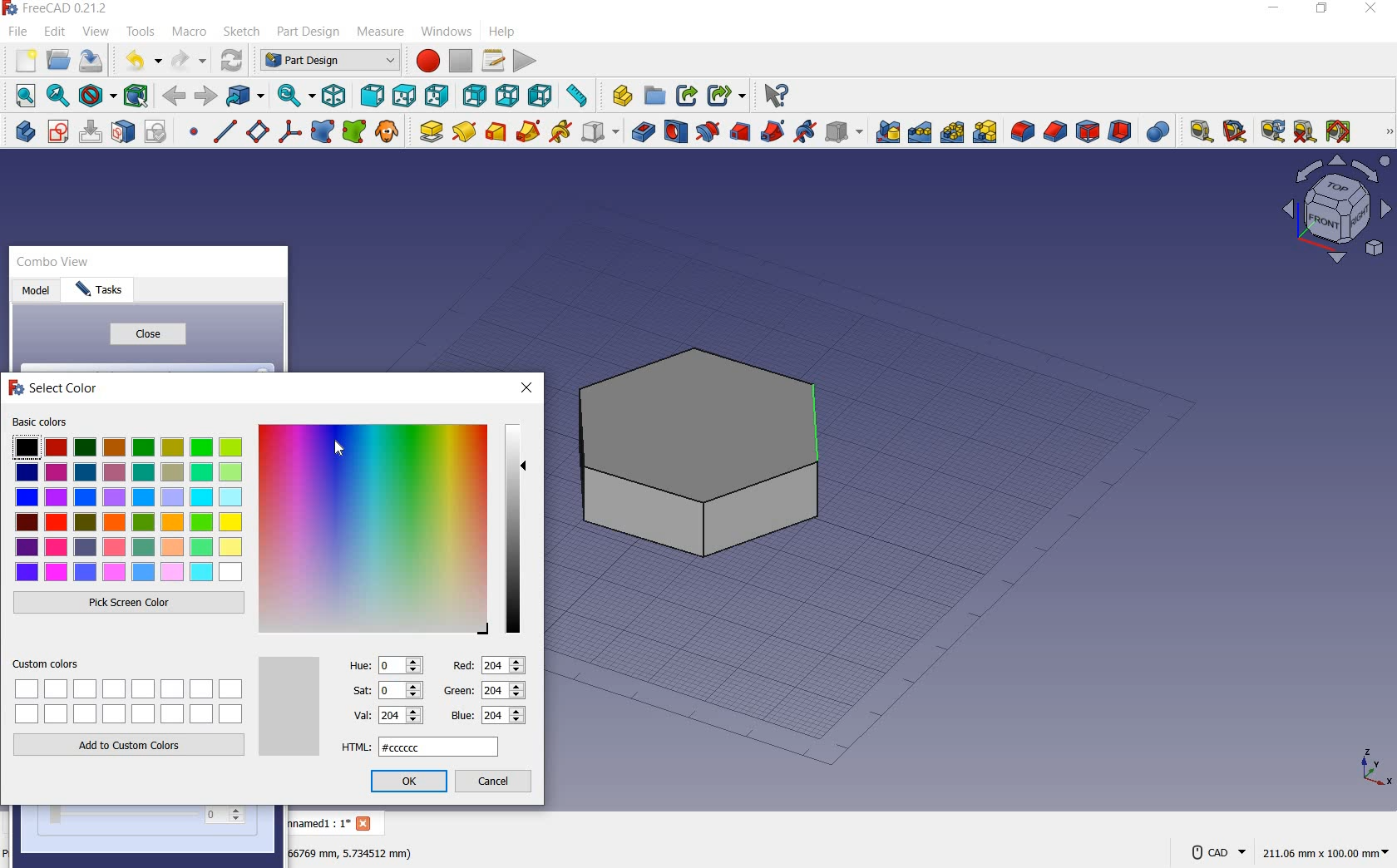 Image resolution: width=1397 pixels, height=868 pixels. Describe the element at coordinates (294, 95) in the screenshot. I see `sync view` at that location.